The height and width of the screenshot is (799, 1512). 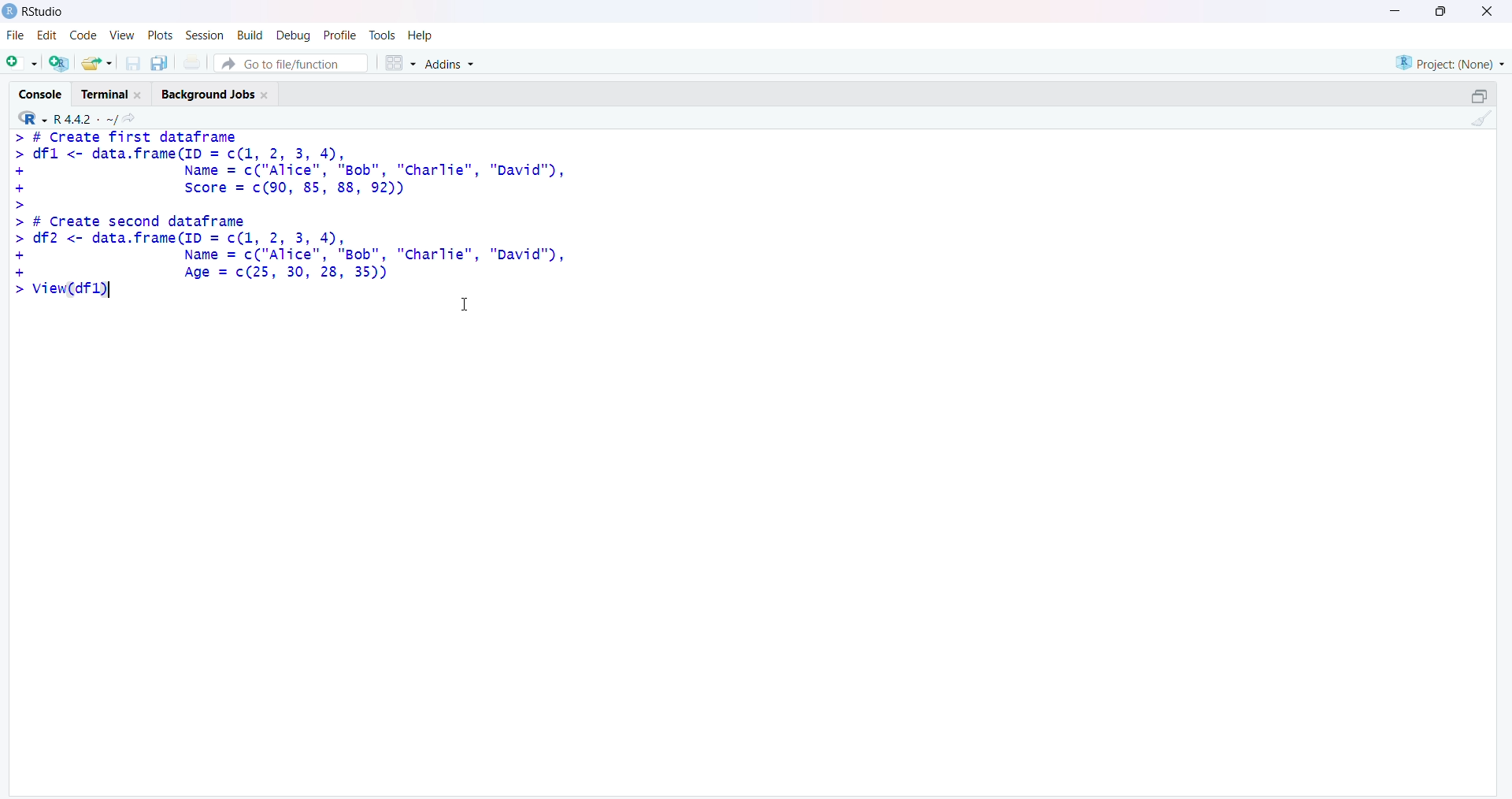 What do you see at coordinates (383, 35) in the screenshot?
I see `tools` at bounding box center [383, 35].